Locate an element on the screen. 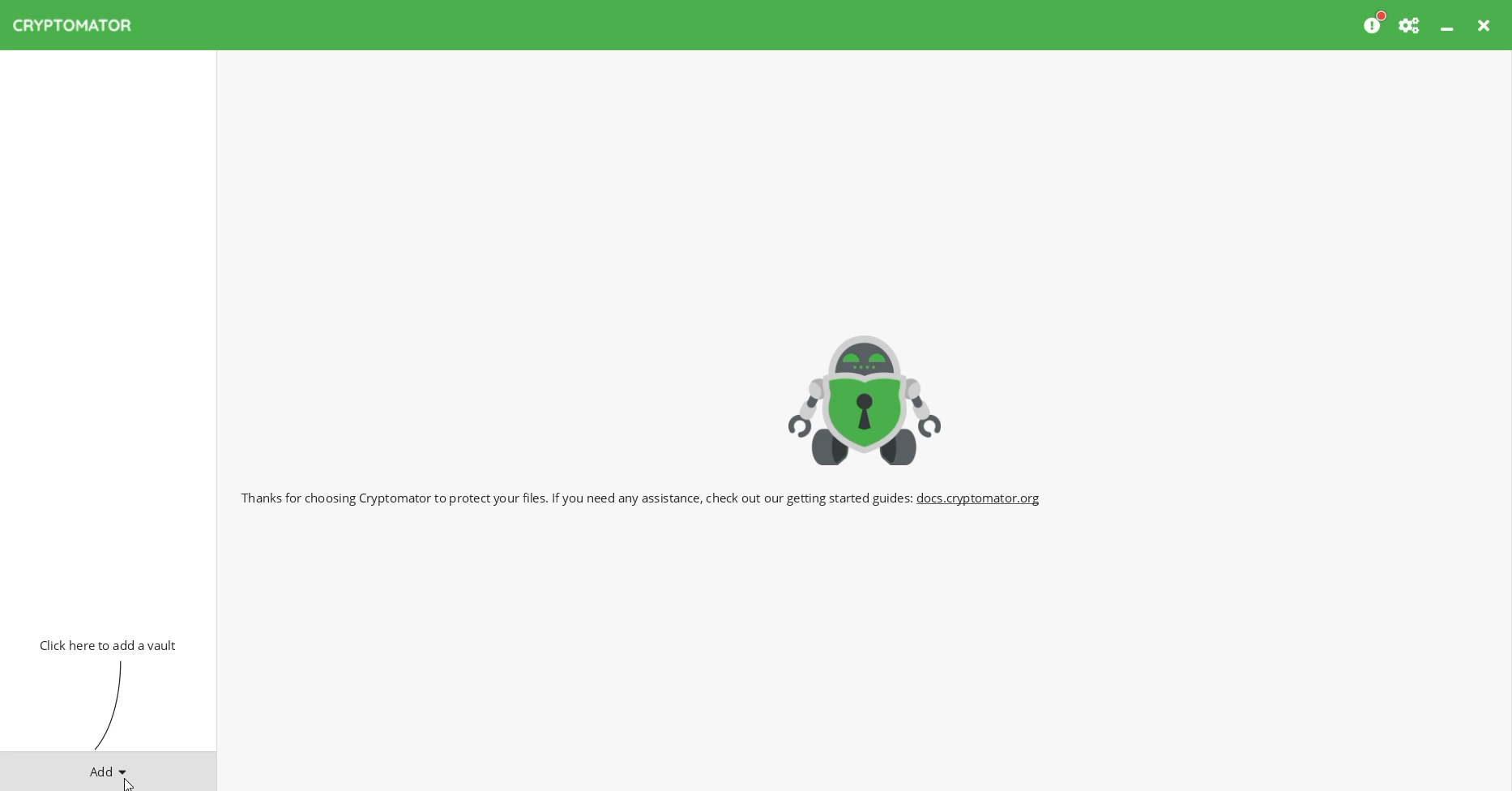 This screenshot has width=1512, height=791. Click here to add vault is located at coordinates (105, 643).